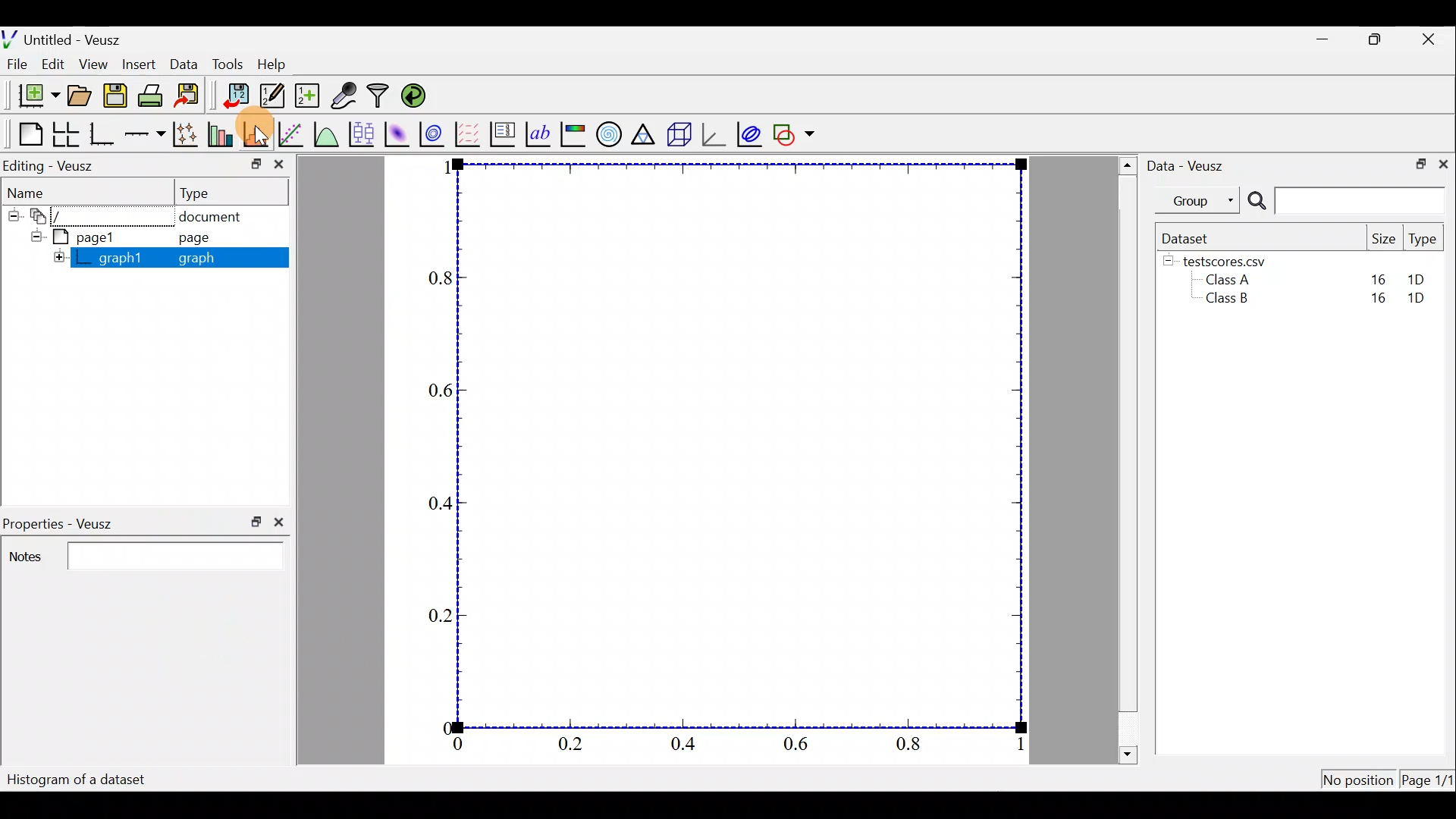 The width and height of the screenshot is (1456, 819). I want to click on Plot points with lines and error bars, so click(186, 134).